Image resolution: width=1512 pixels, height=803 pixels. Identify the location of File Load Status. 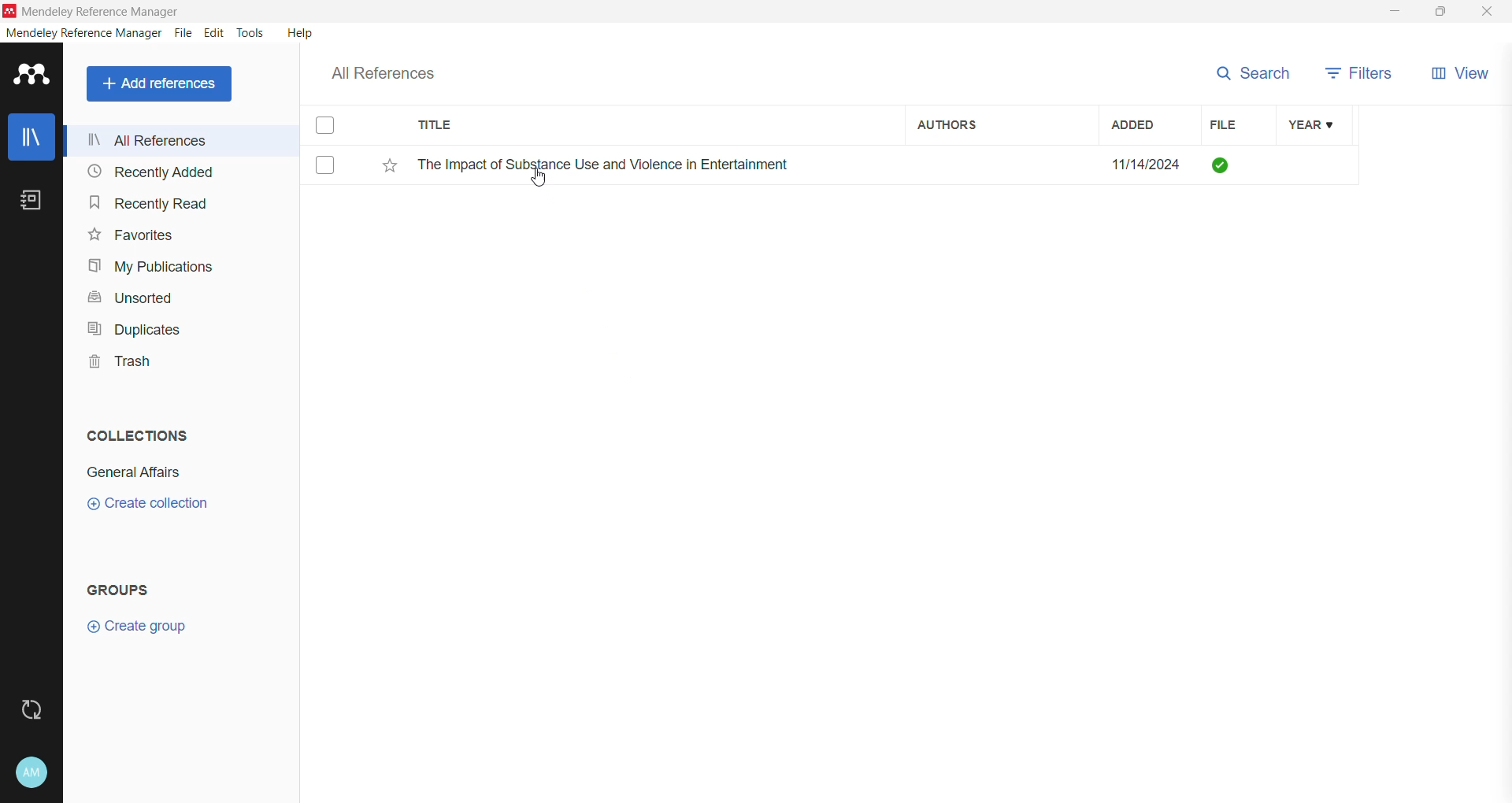
(1234, 164).